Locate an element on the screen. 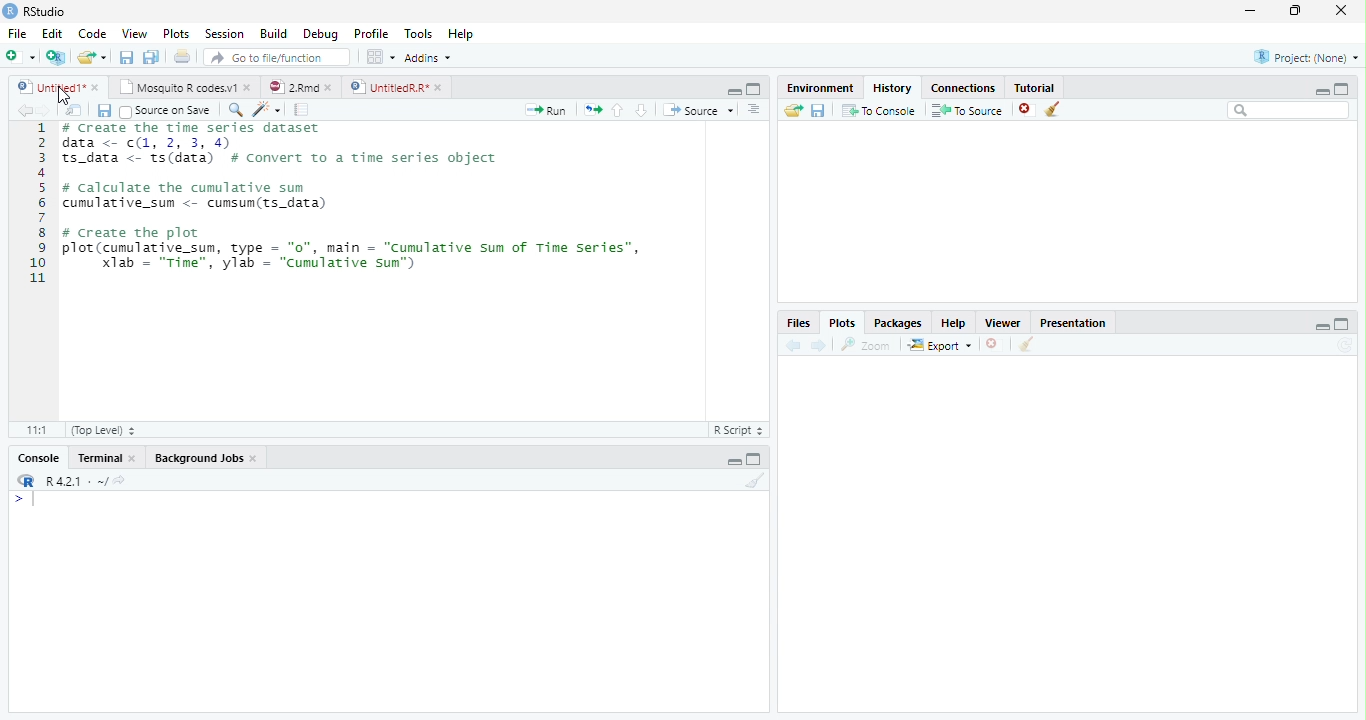  Connections is located at coordinates (961, 87).